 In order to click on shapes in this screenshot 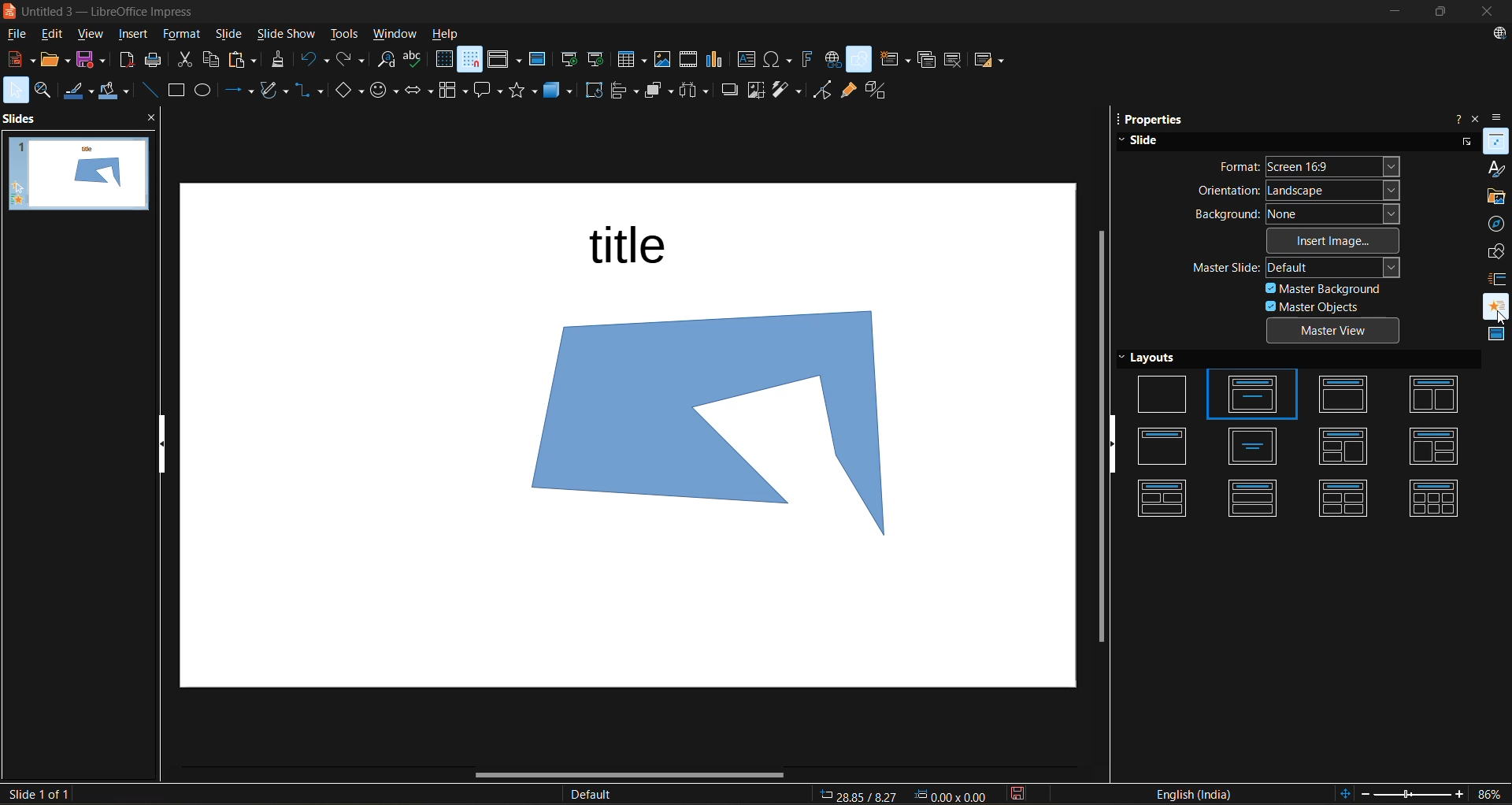, I will do `click(1494, 249)`.